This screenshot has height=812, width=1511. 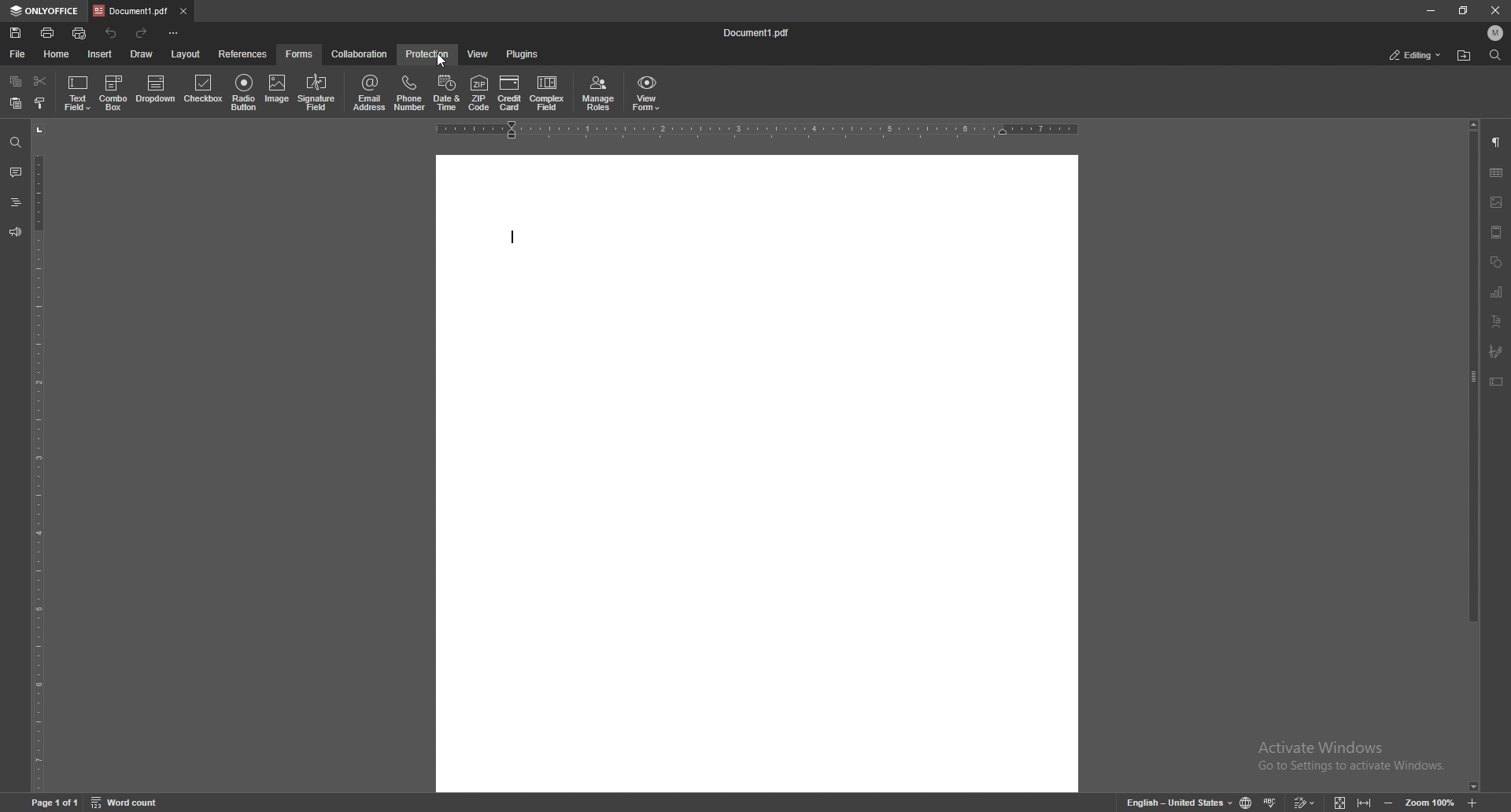 What do you see at coordinates (1247, 802) in the screenshot?
I see `change doc language` at bounding box center [1247, 802].